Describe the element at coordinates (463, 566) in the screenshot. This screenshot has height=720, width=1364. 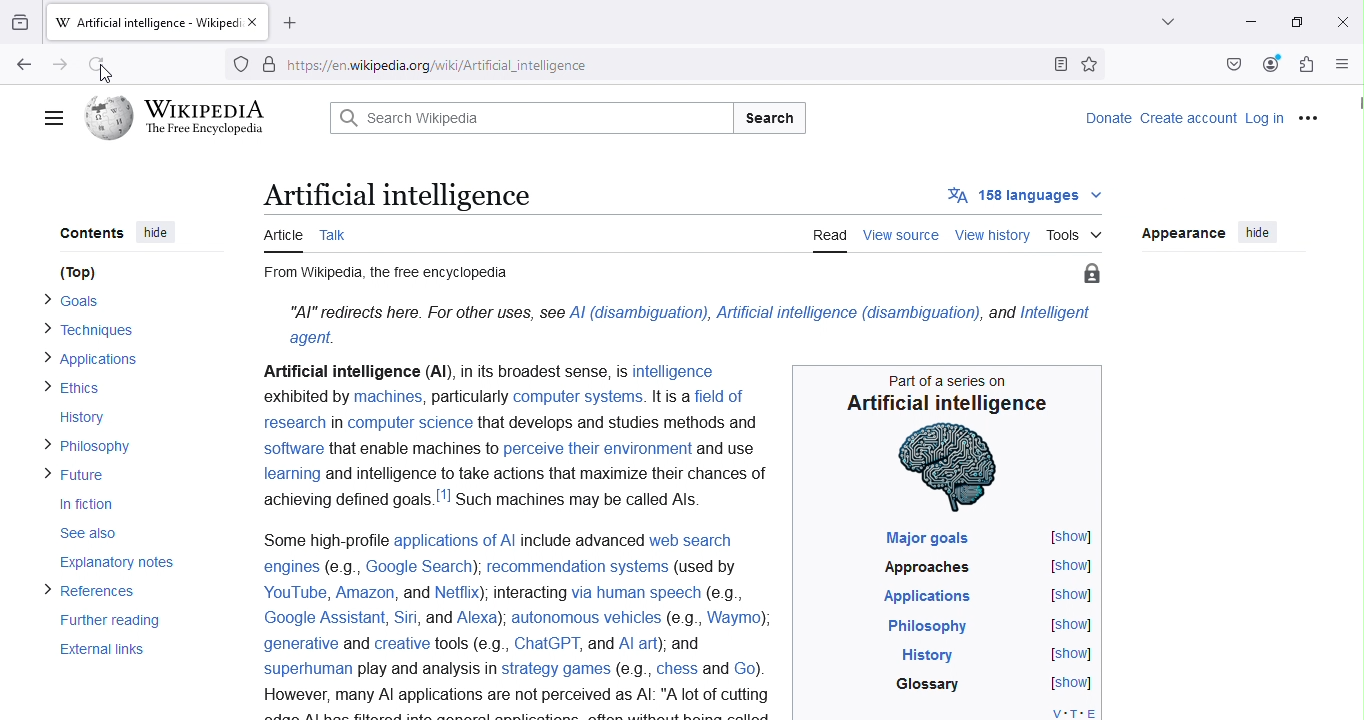
I see `engines (e.g., Google Search), recommendation systems` at that location.